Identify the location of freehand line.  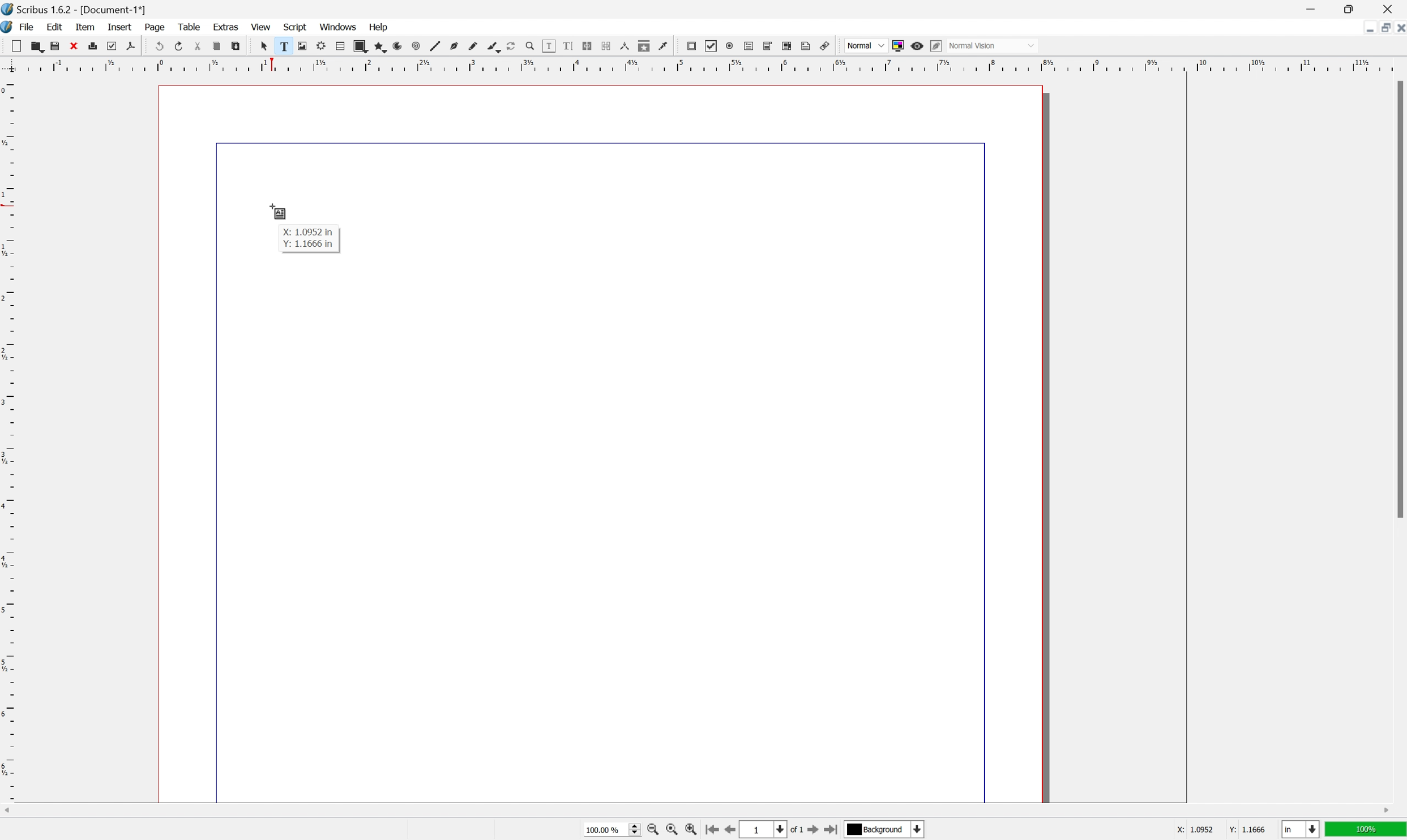
(474, 46).